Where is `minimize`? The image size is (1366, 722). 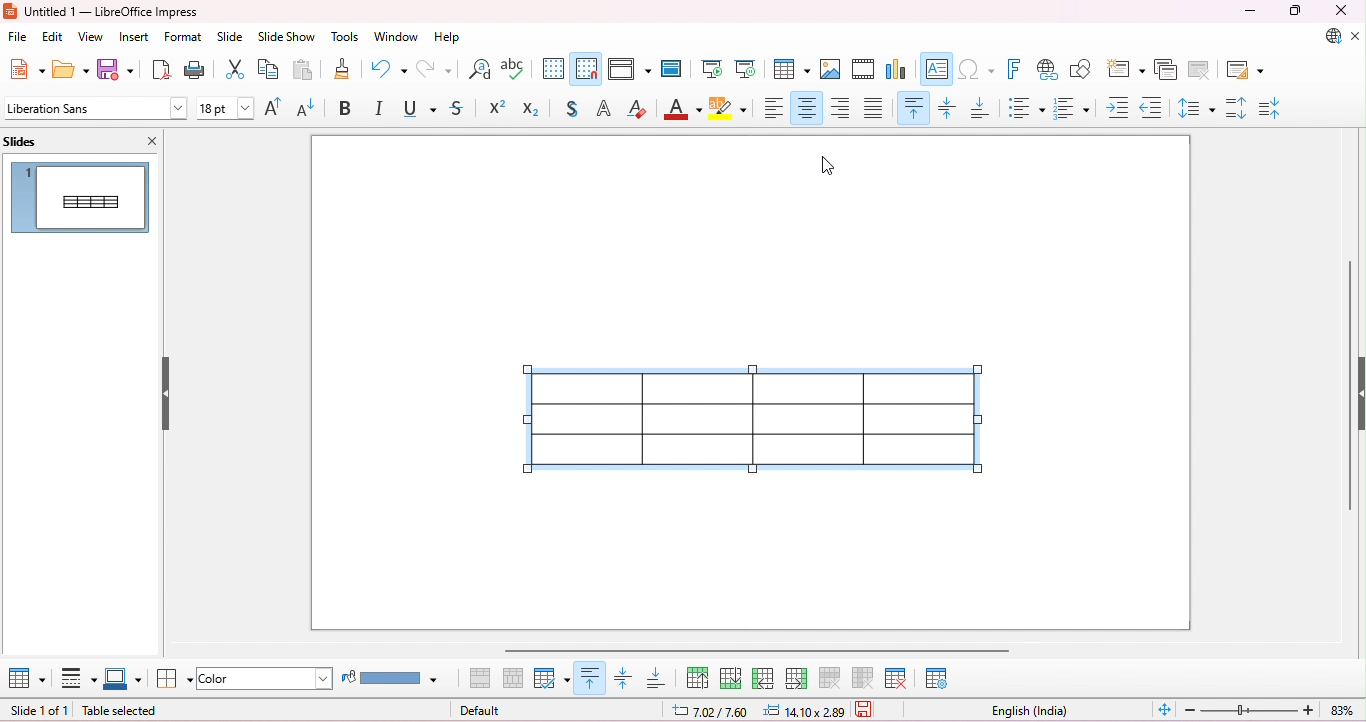 minimize is located at coordinates (1252, 11).